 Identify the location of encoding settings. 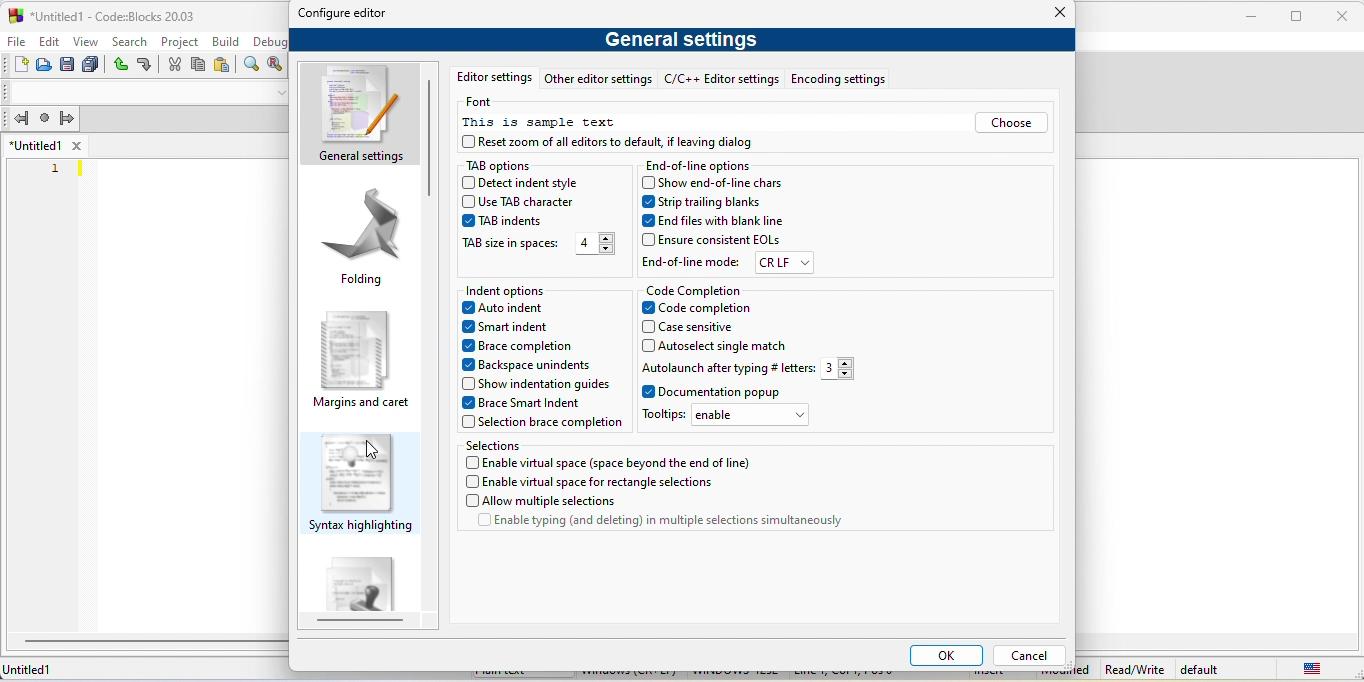
(841, 80).